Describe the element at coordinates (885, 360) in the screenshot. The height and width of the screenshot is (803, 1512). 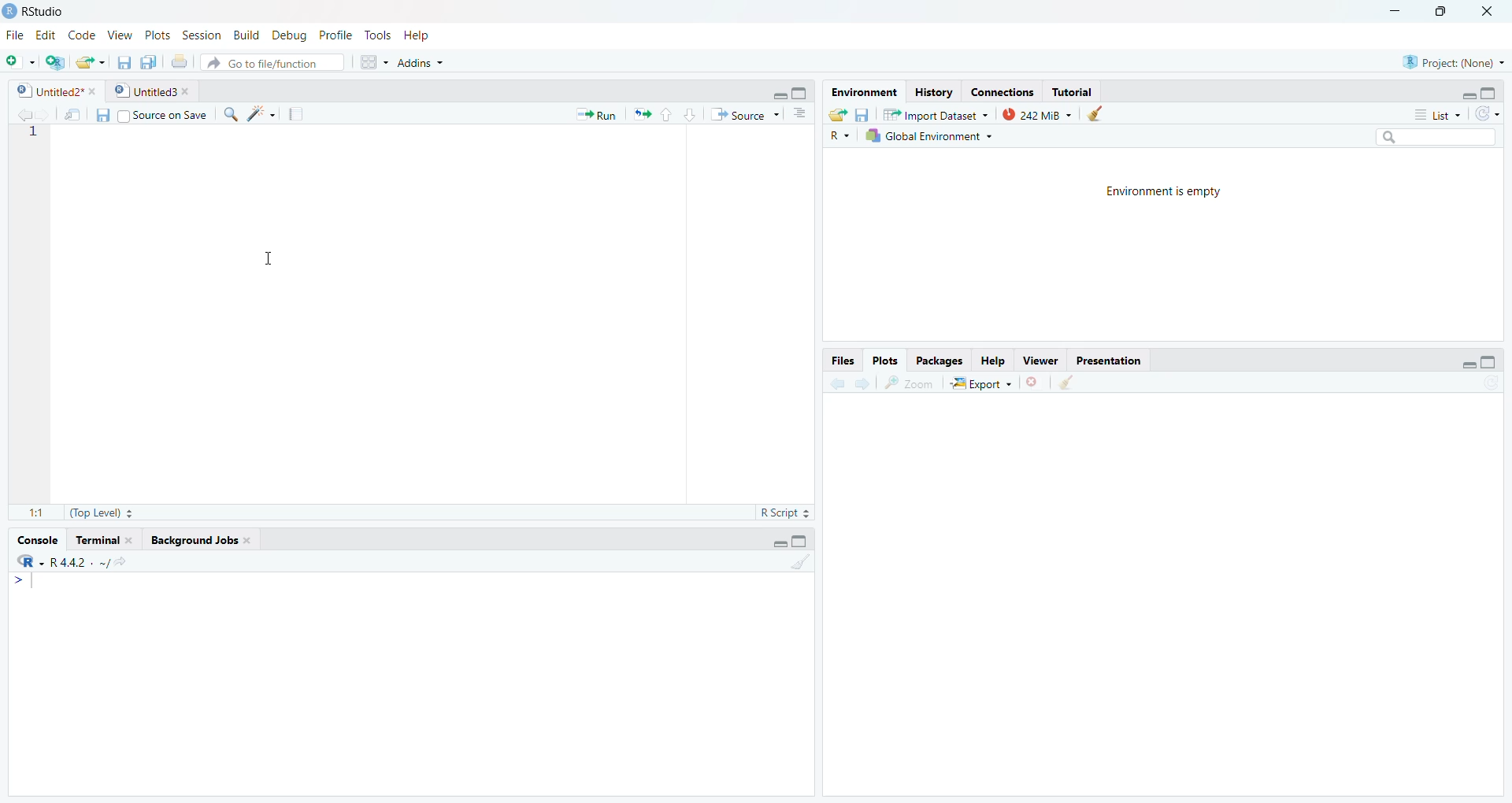
I see `Plots.` at that location.